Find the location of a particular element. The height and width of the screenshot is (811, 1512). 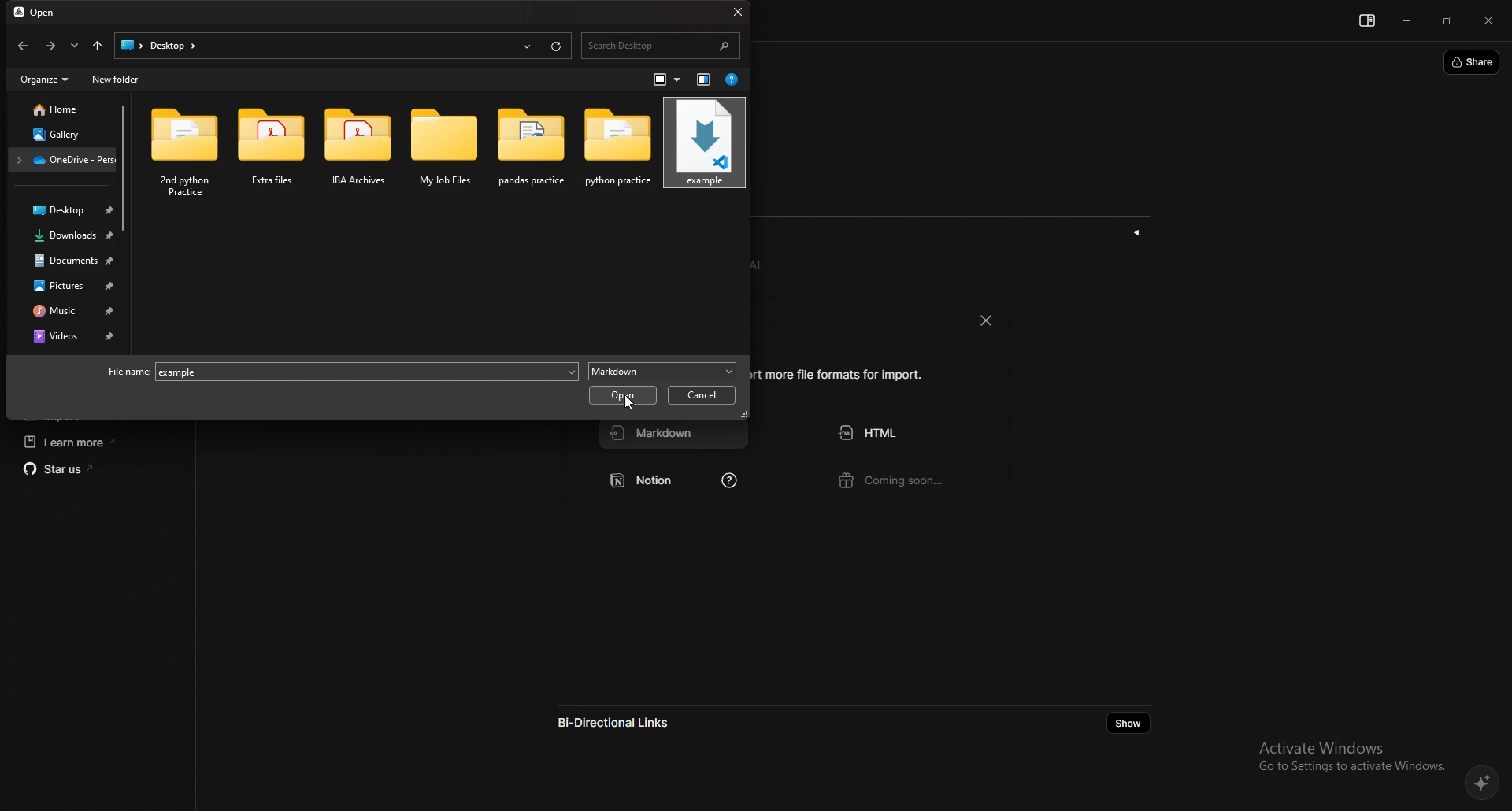

file name is located at coordinates (129, 372).